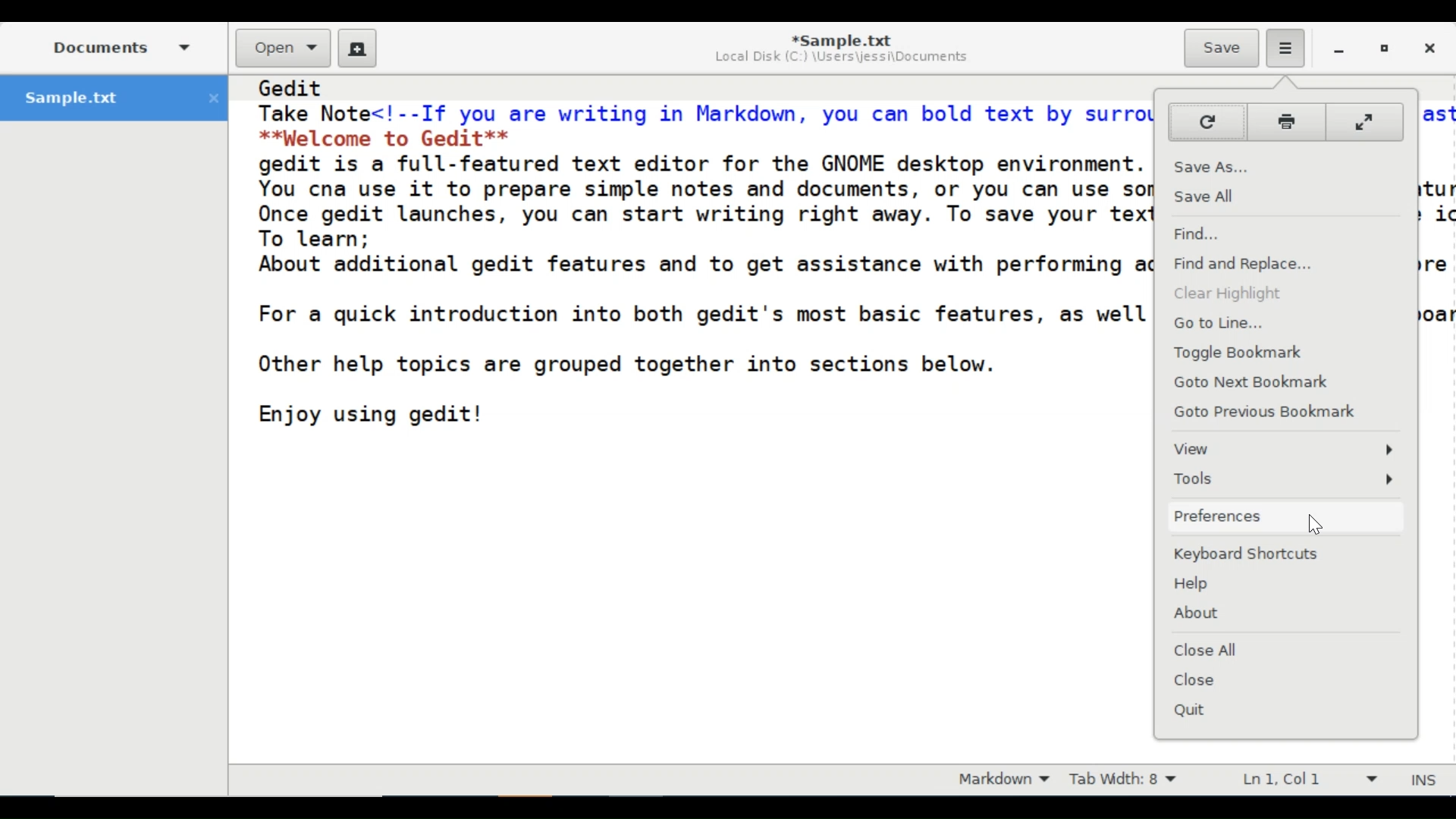  What do you see at coordinates (1246, 554) in the screenshot?
I see `Keyboard Shortcuts` at bounding box center [1246, 554].